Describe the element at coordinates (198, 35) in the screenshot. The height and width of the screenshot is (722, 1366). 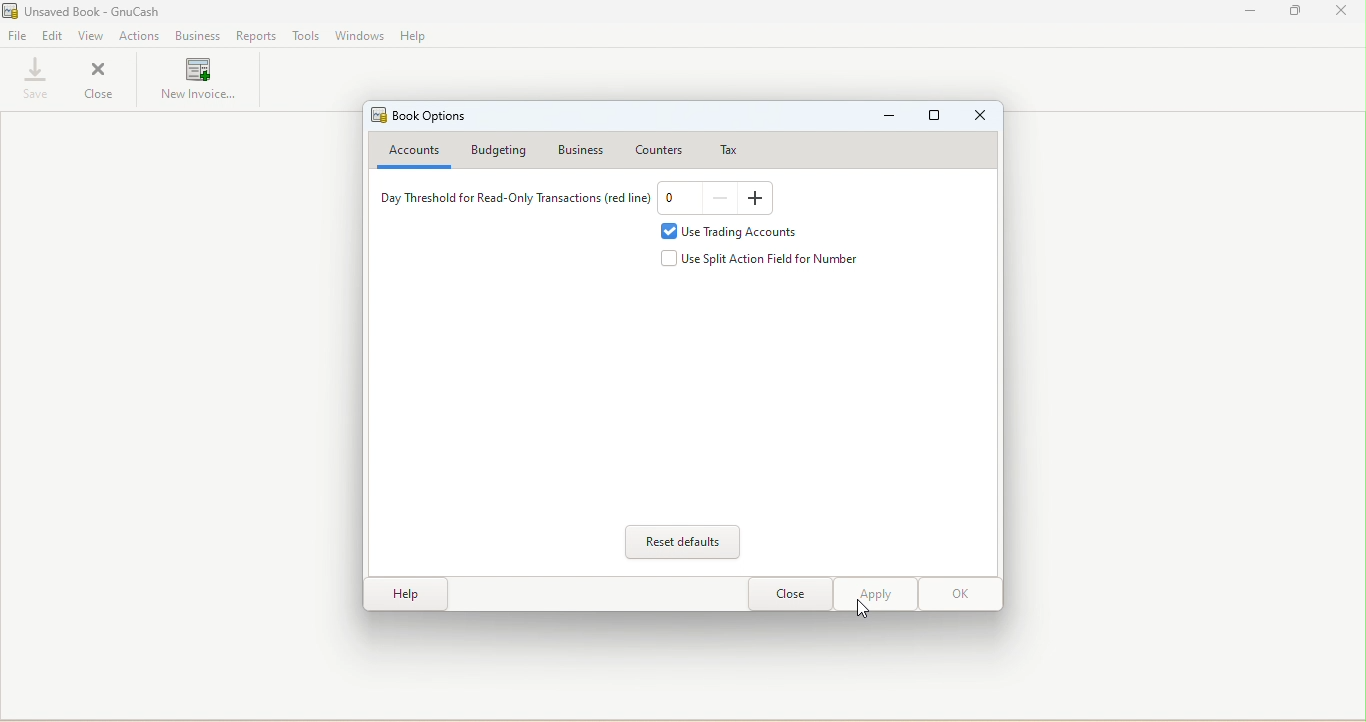
I see `Business` at that location.